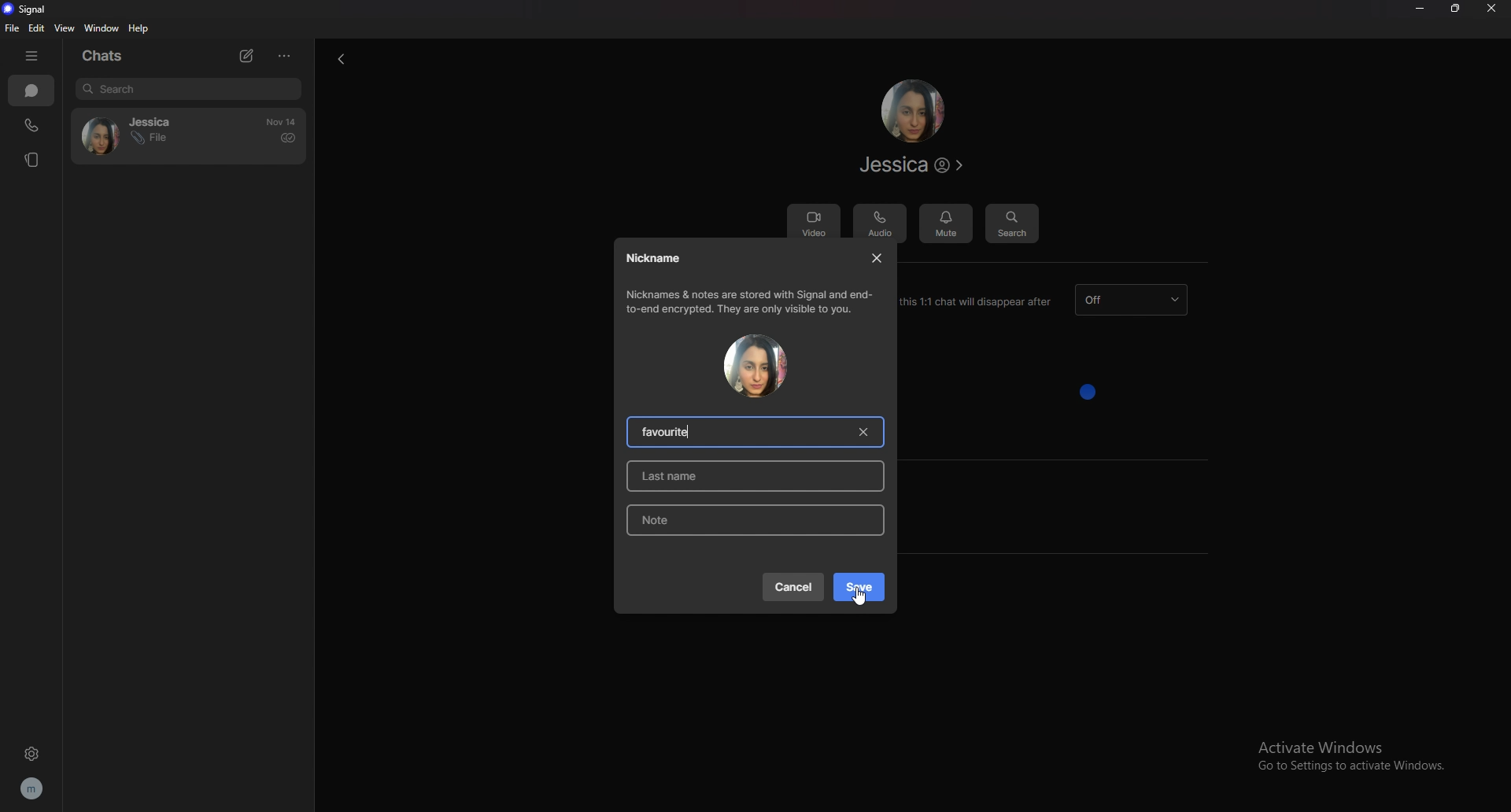 This screenshot has width=1511, height=812. Describe the element at coordinates (102, 28) in the screenshot. I see `window` at that location.